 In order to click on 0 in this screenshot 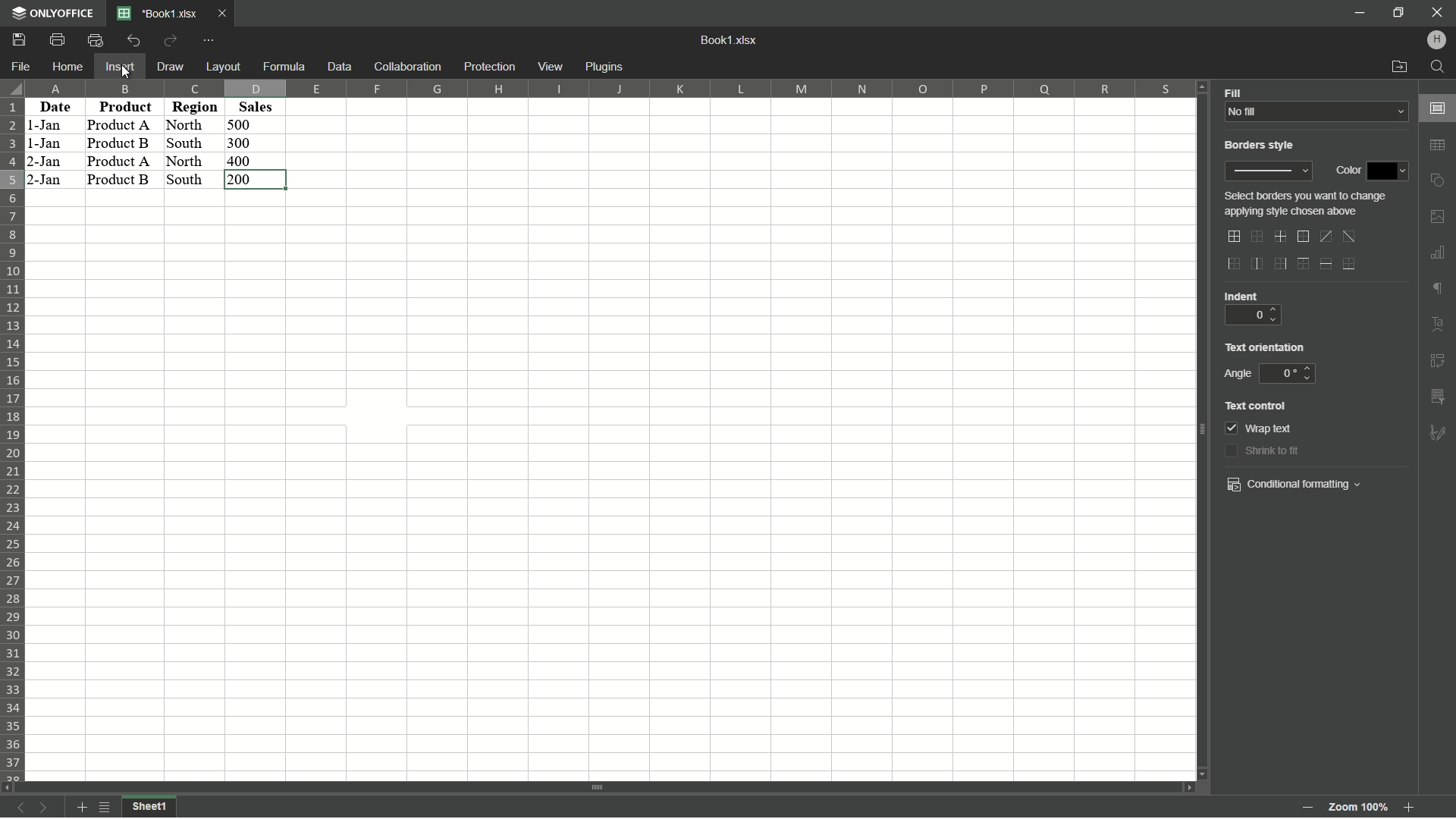, I will do `click(1257, 315)`.